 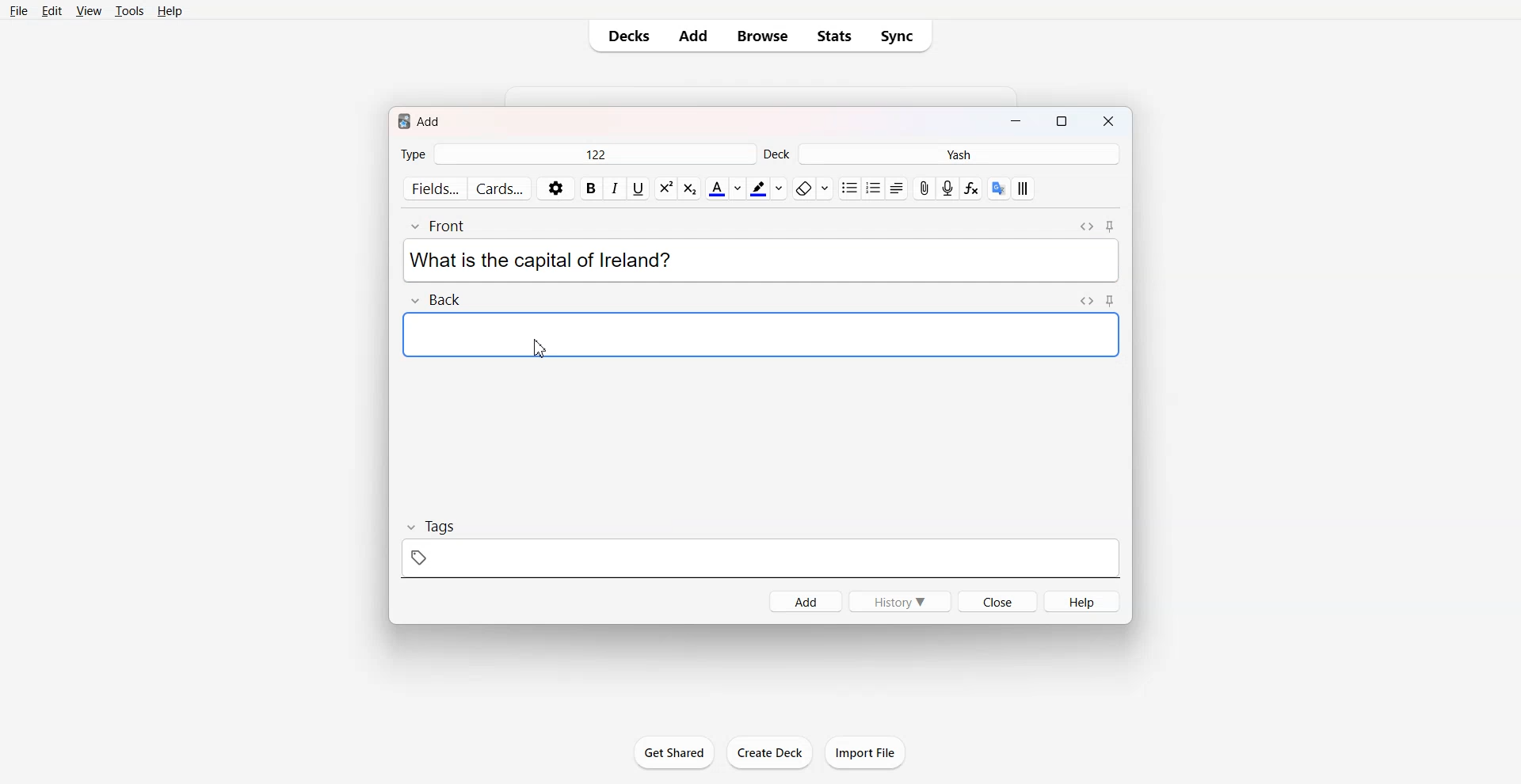 I want to click on Add, so click(x=805, y=600).